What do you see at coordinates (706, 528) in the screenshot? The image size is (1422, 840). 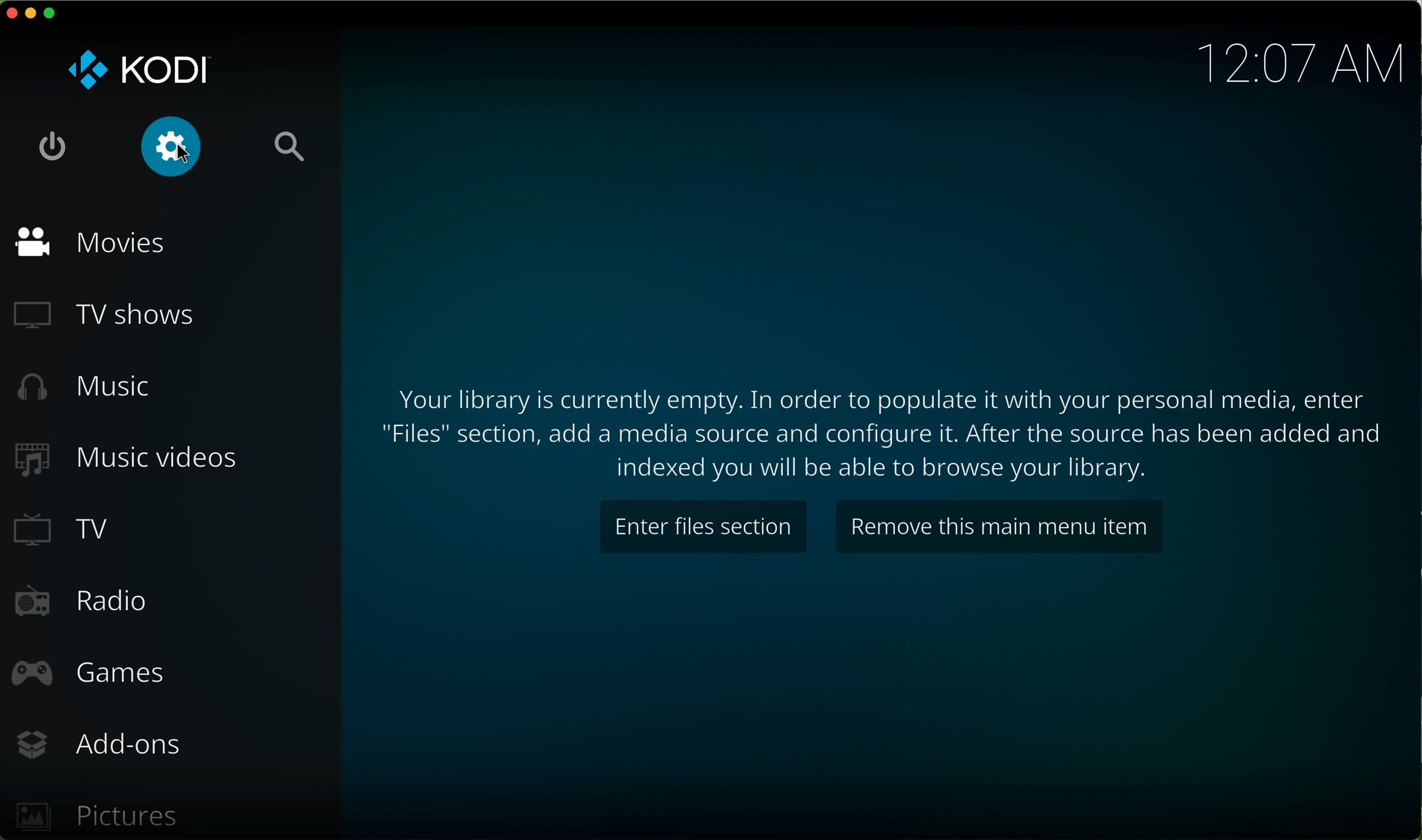 I see `enter files section` at bounding box center [706, 528].